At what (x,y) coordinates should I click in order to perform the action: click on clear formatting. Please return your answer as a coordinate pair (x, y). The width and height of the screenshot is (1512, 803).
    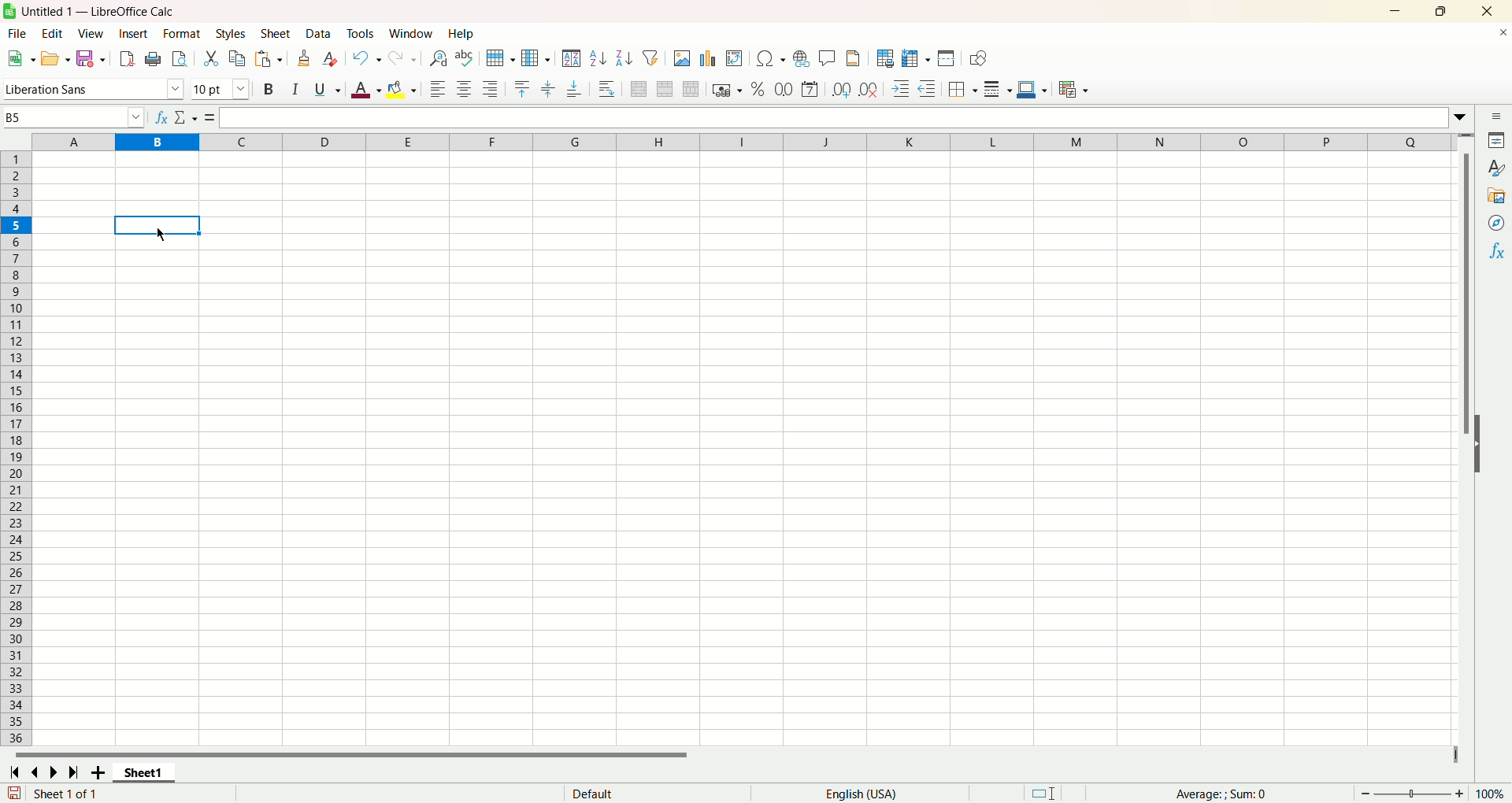
    Looking at the image, I should click on (330, 58).